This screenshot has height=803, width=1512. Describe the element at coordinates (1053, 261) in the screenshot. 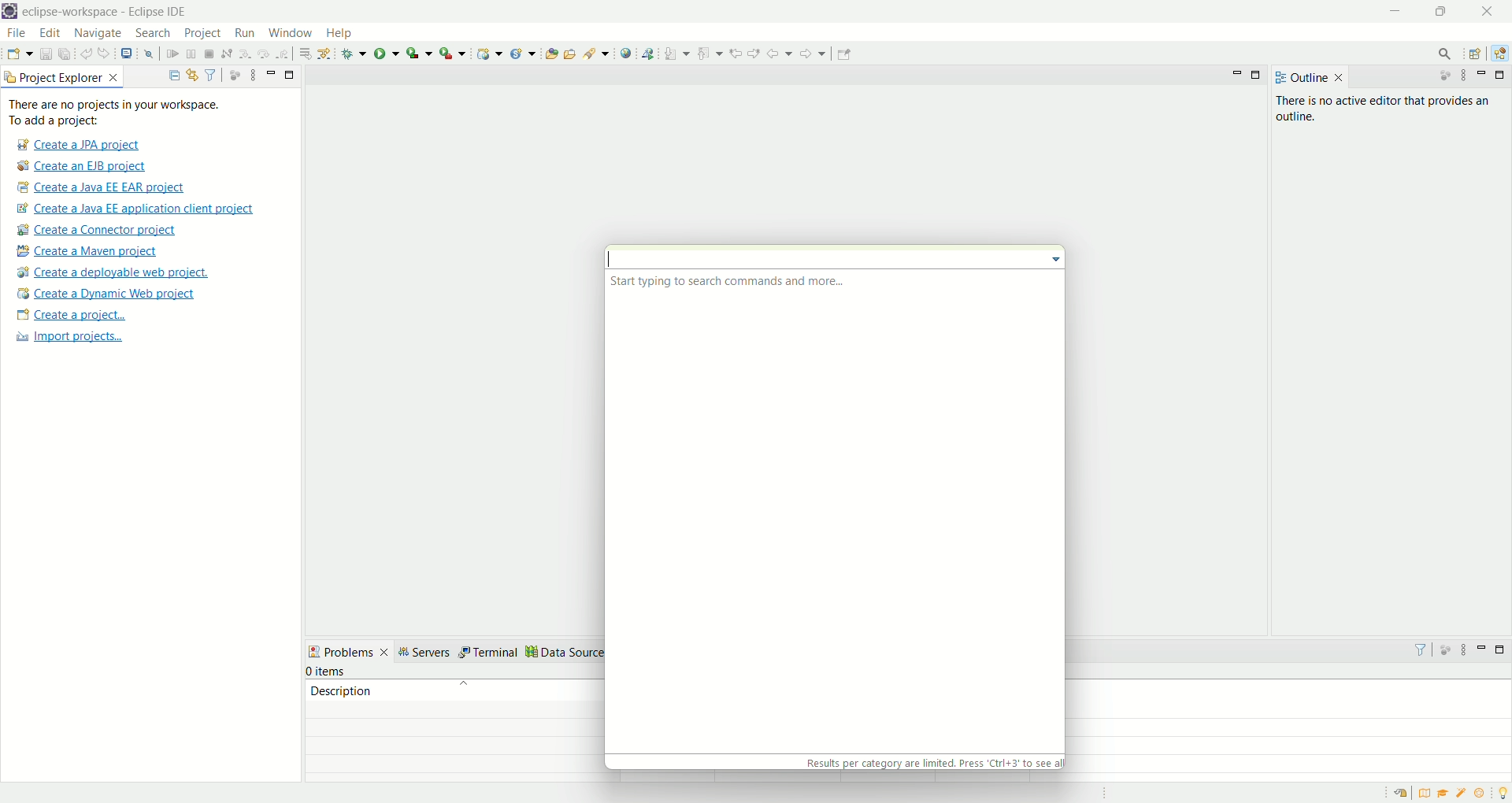

I see `menu` at that location.